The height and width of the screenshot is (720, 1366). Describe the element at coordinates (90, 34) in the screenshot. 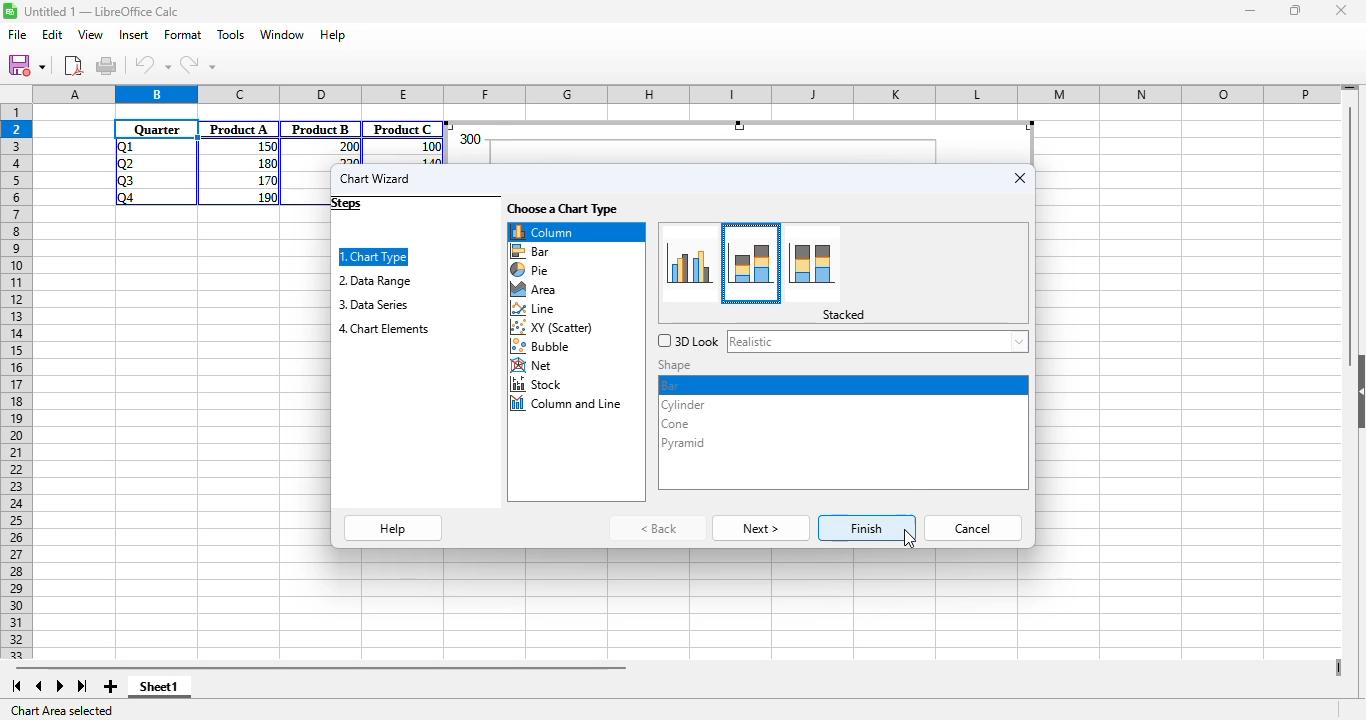

I see `view` at that location.